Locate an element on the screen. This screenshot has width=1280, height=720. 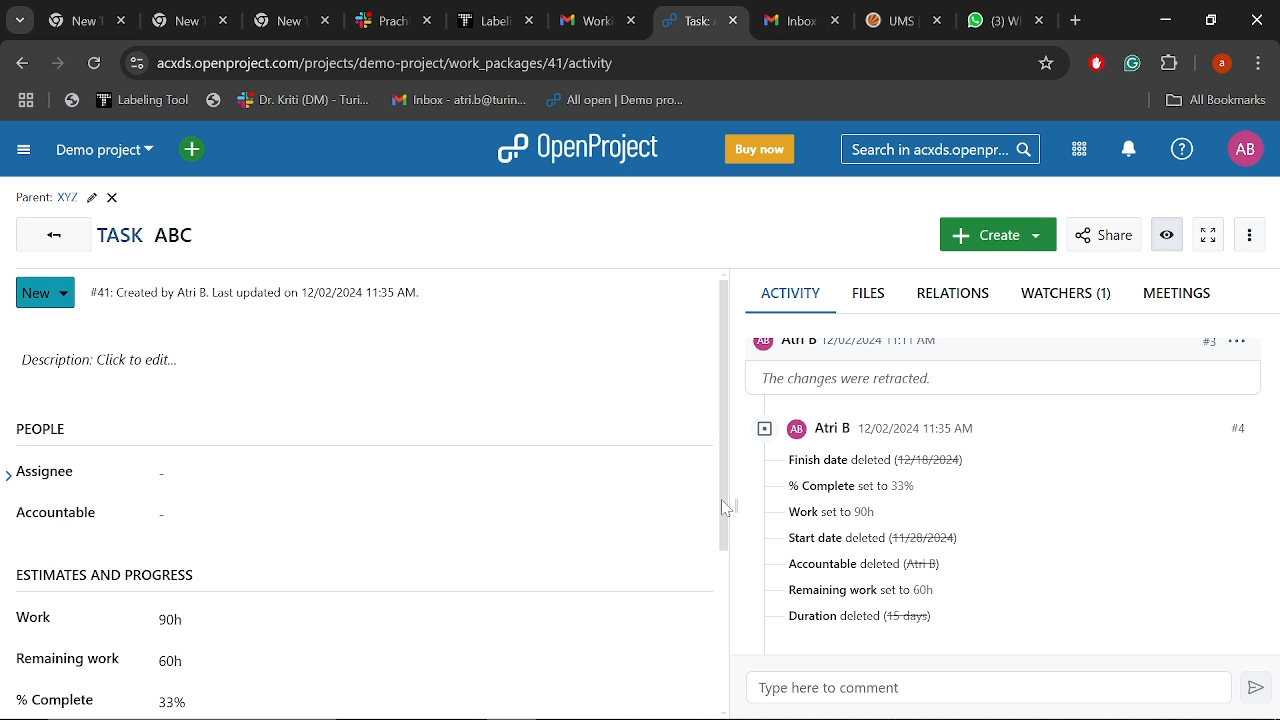
accountable is located at coordinates (55, 509).